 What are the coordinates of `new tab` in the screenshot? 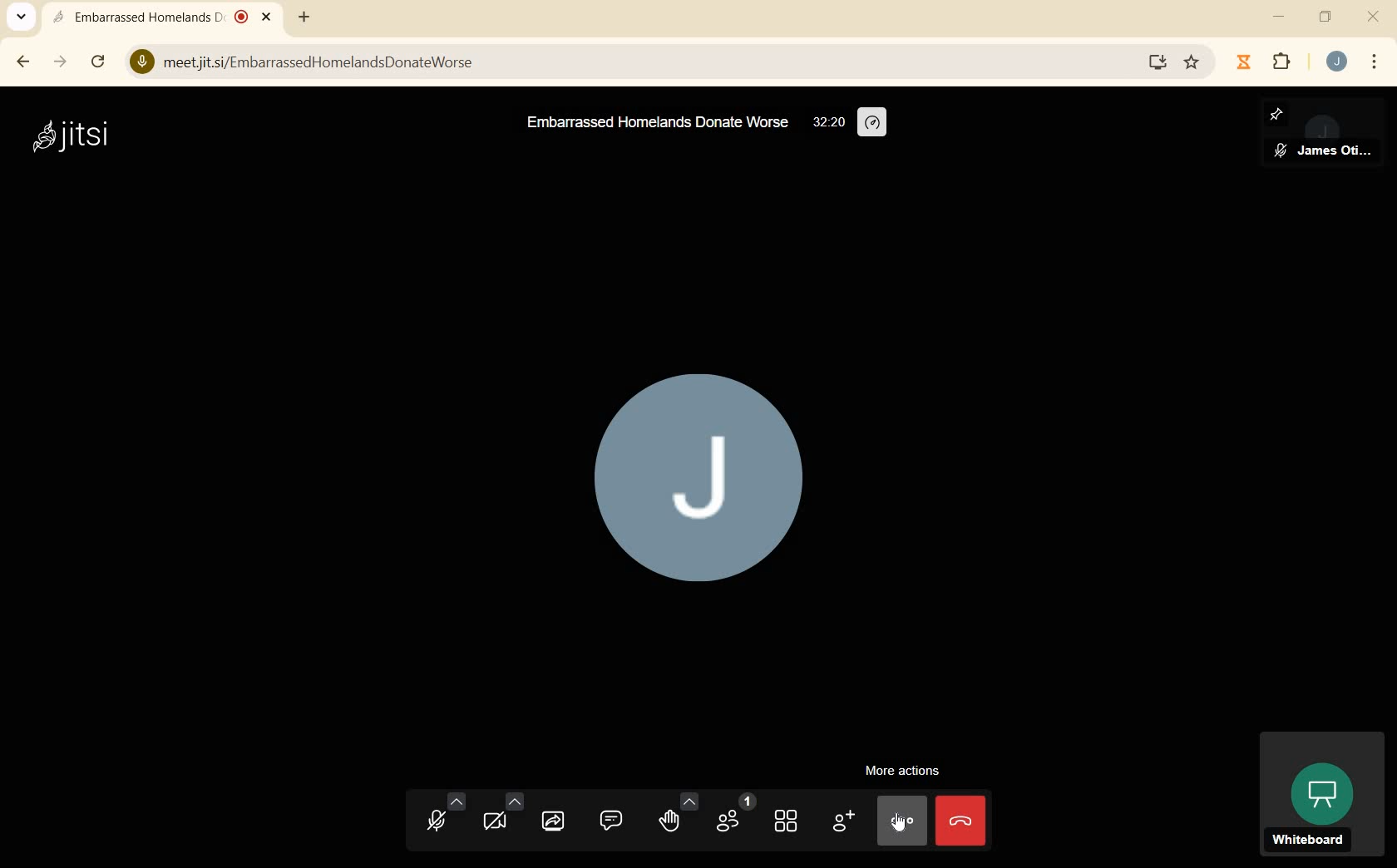 It's located at (304, 18).